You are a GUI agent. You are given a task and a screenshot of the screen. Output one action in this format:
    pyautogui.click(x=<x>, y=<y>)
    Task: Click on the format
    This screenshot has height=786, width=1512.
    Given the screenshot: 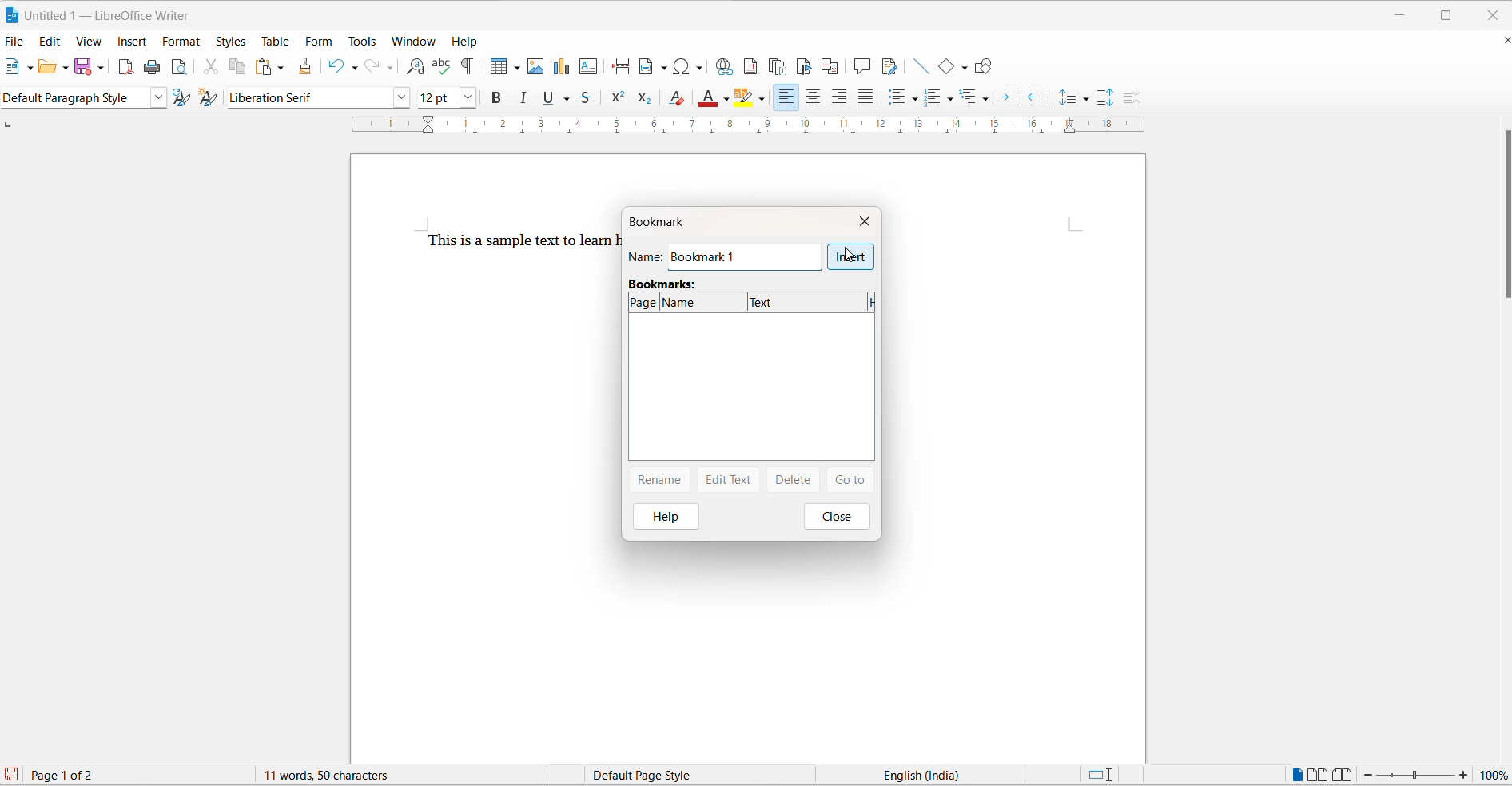 What is the action you would take?
    pyautogui.click(x=183, y=43)
    